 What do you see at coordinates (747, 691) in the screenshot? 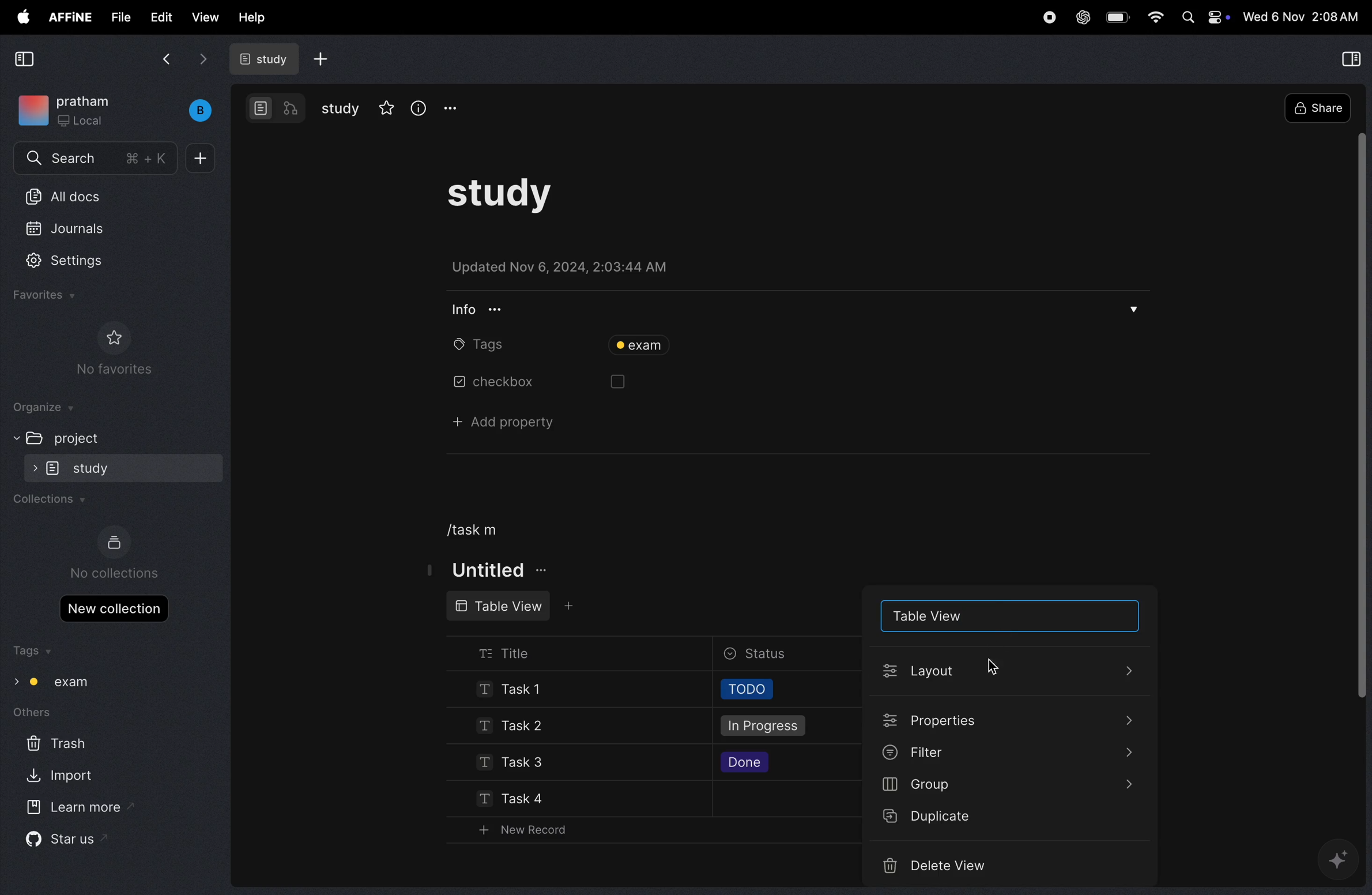
I see `todo` at bounding box center [747, 691].